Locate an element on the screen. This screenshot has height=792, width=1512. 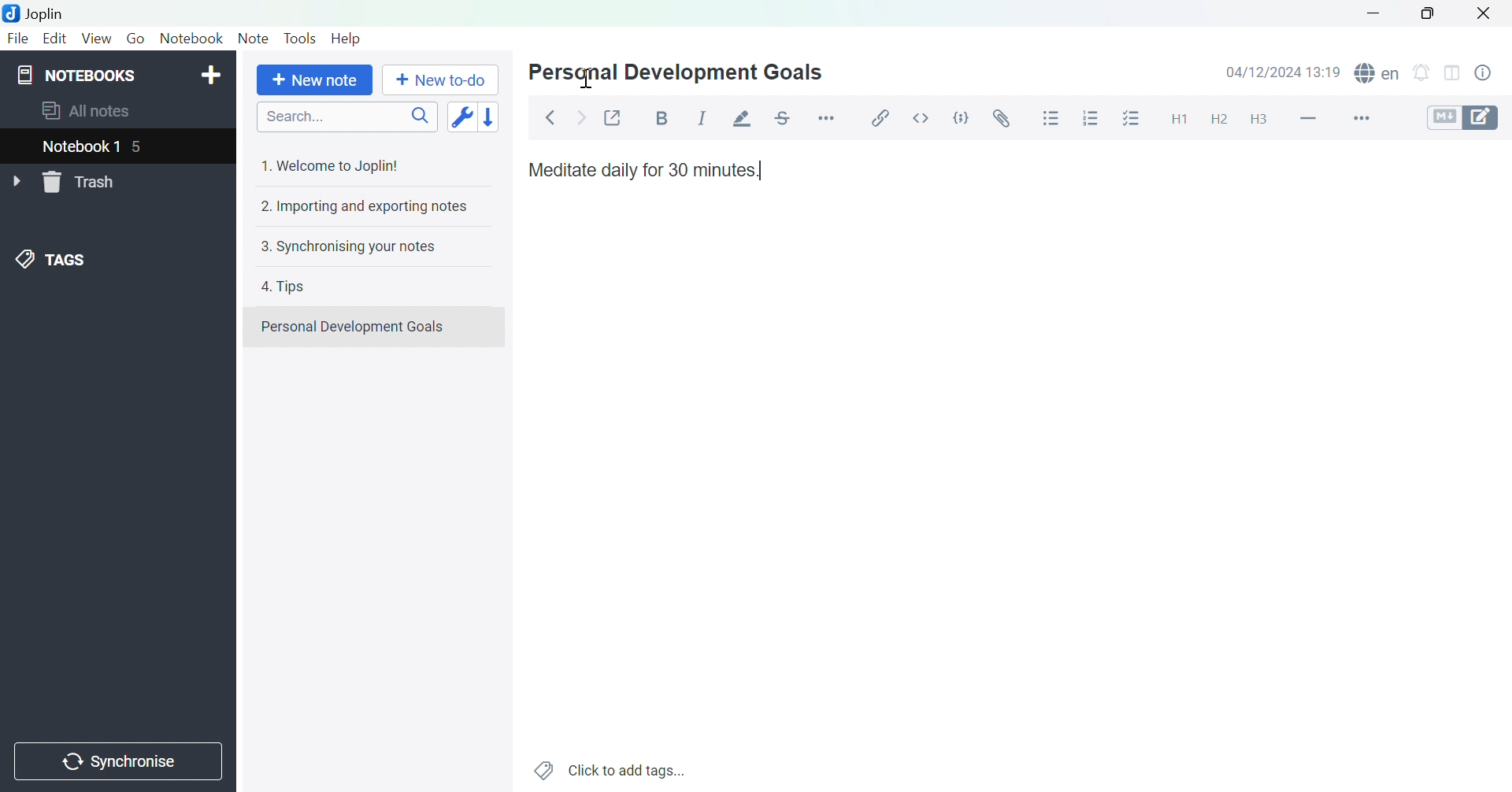
Add notebook is located at coordinates (212, 75).